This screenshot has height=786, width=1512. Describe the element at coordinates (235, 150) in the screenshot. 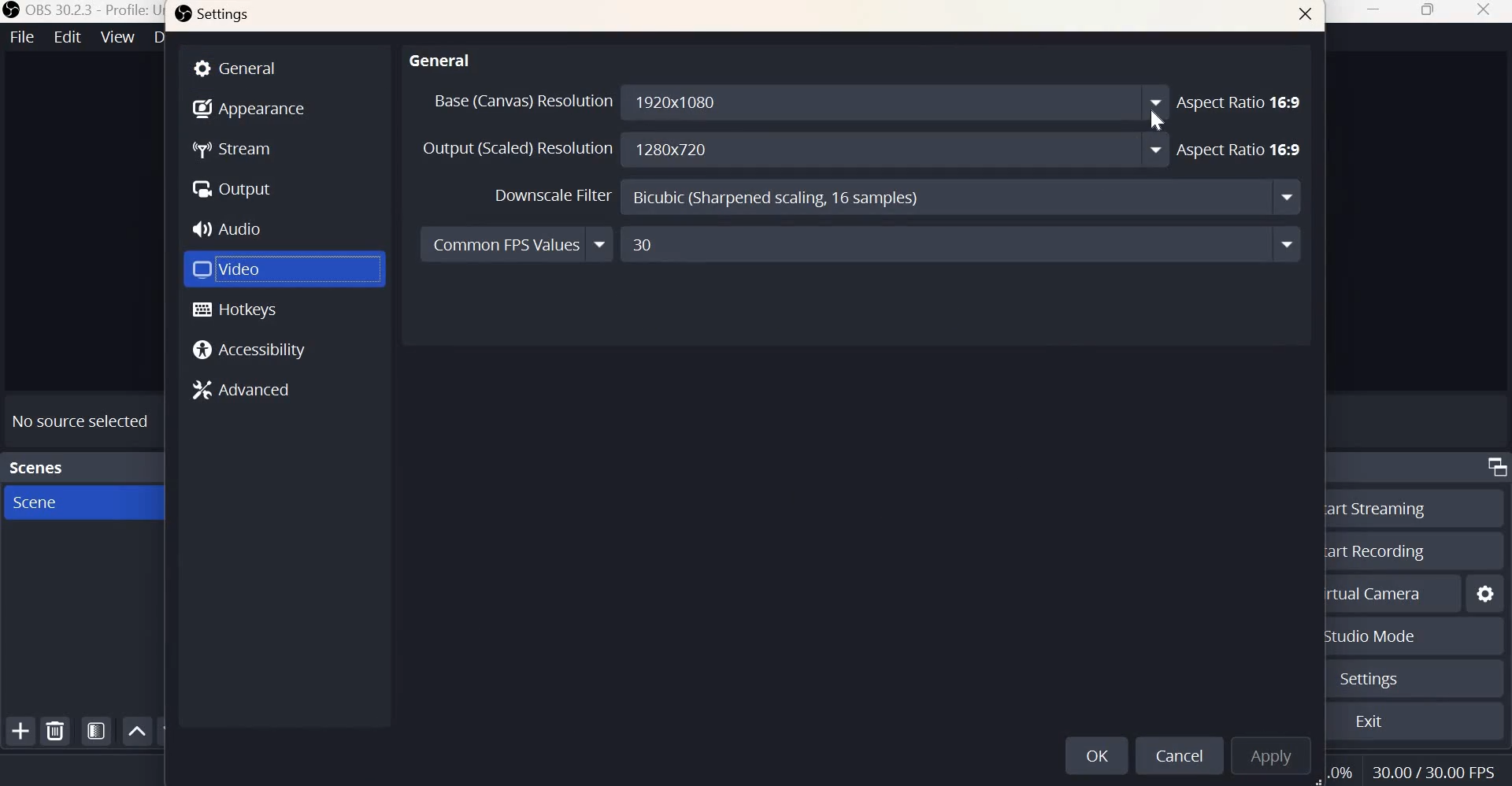

I see `Stream` at that location.